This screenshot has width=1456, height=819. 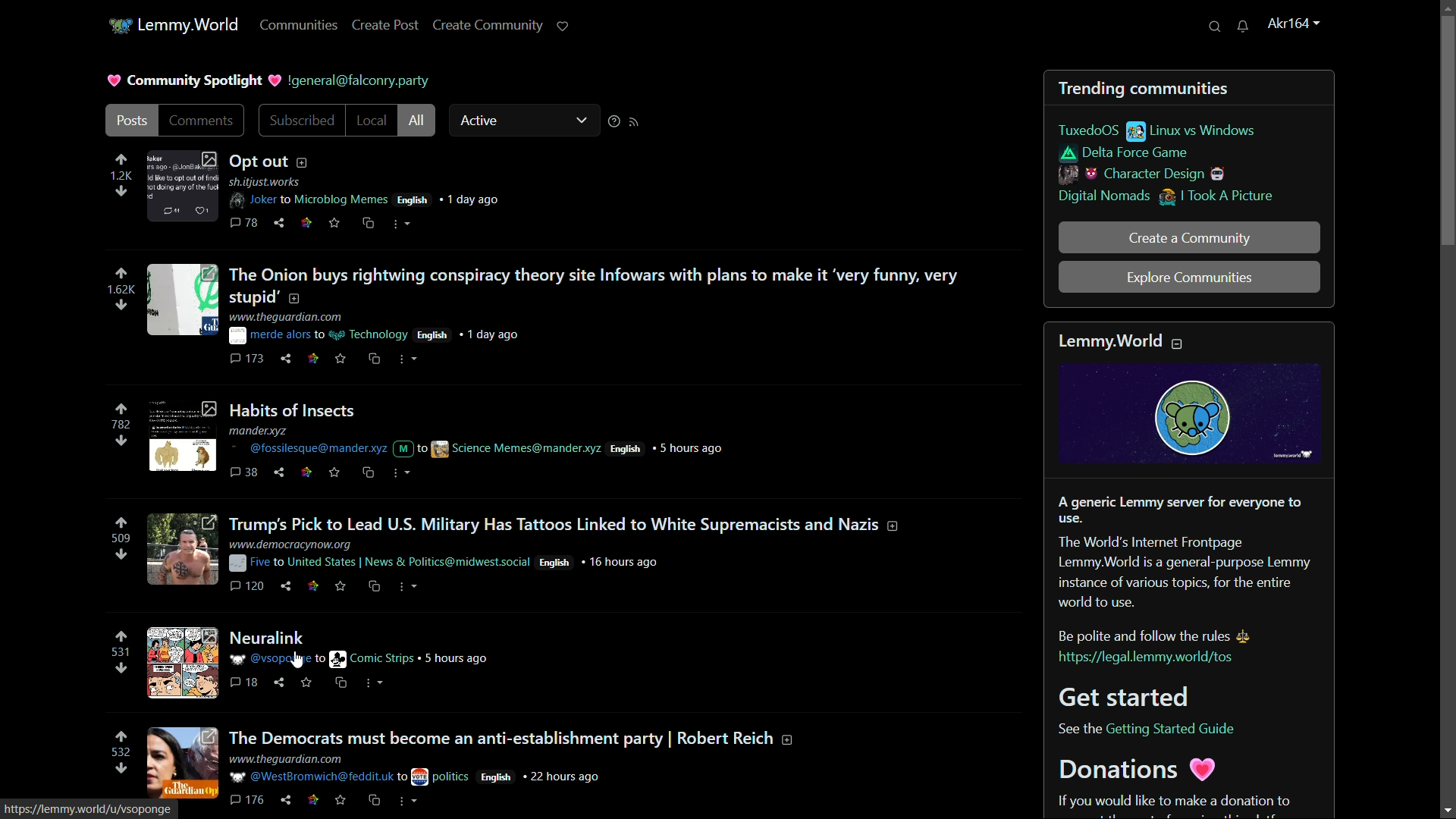 What do you see at coordinates (120, 307) in the screenshot?
I see `downvote` at bounding box center [120, 307].